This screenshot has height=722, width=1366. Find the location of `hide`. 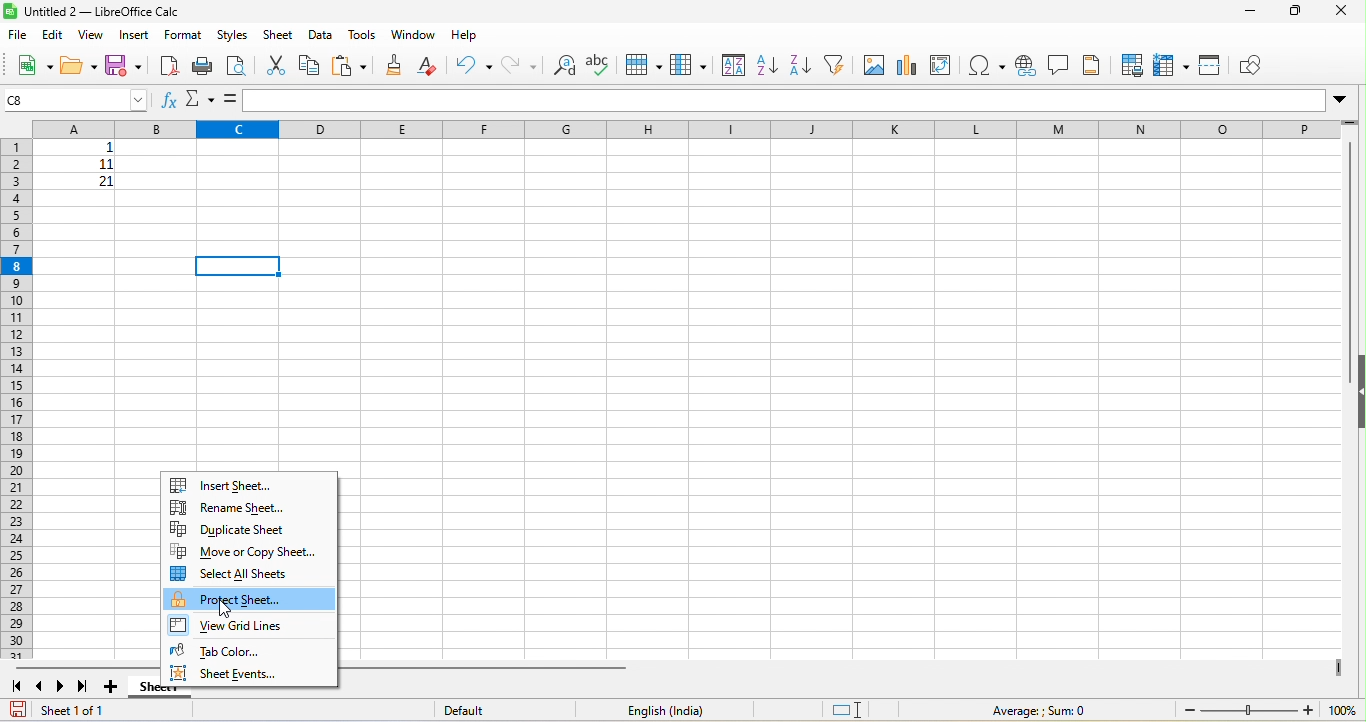

hide is located at coordinates (1357, 396).